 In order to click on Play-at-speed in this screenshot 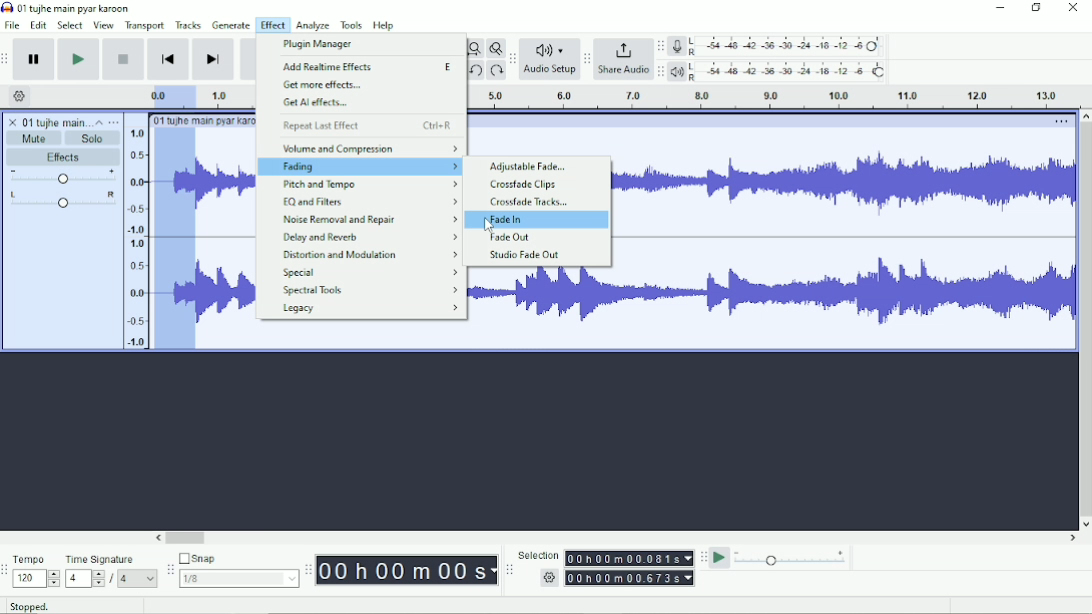, I will do `click(721, 558)`.